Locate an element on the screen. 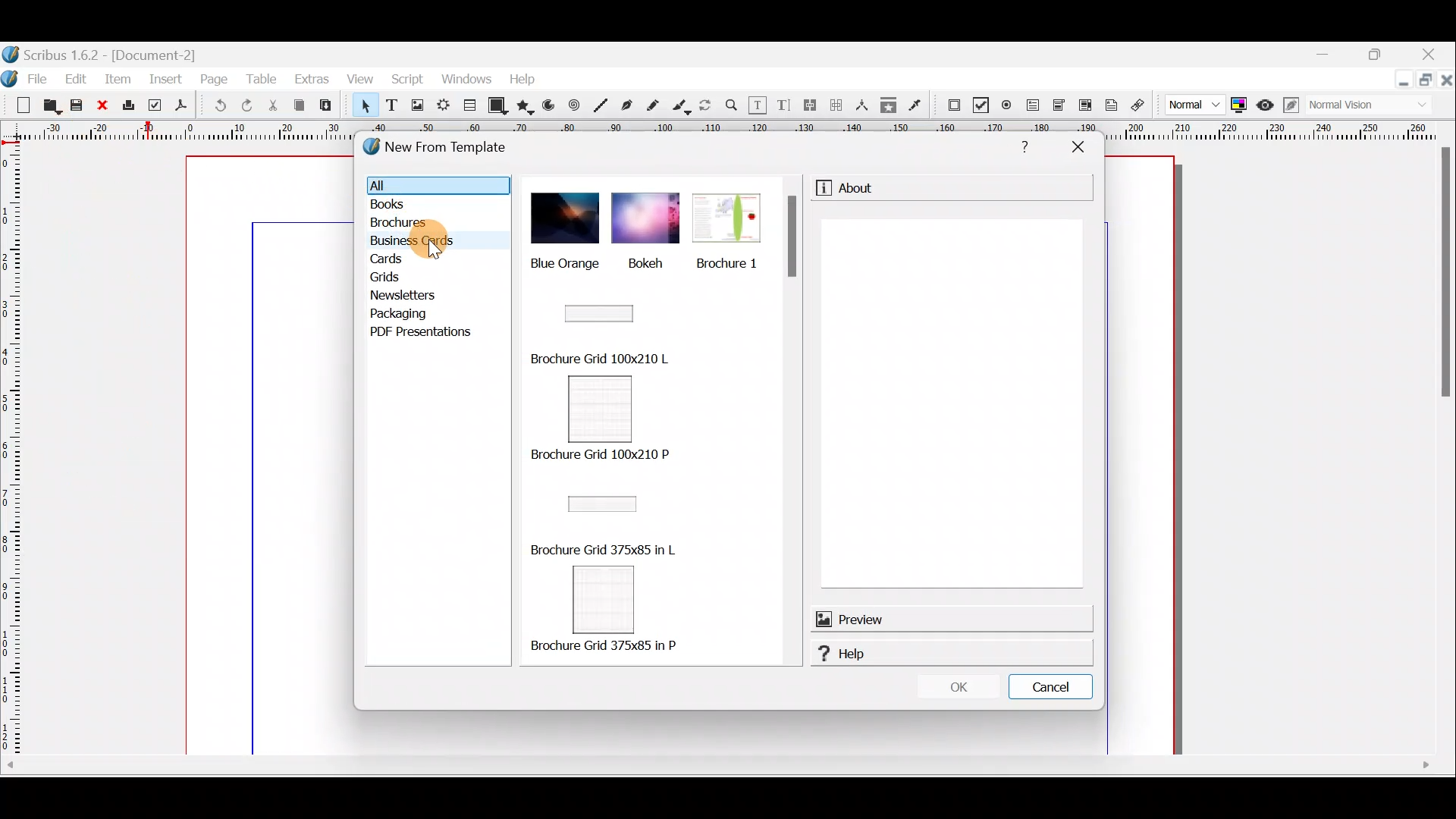 This screenshot has width=1456, height=819. Calligraphic line is located at coordinates (683, 107).